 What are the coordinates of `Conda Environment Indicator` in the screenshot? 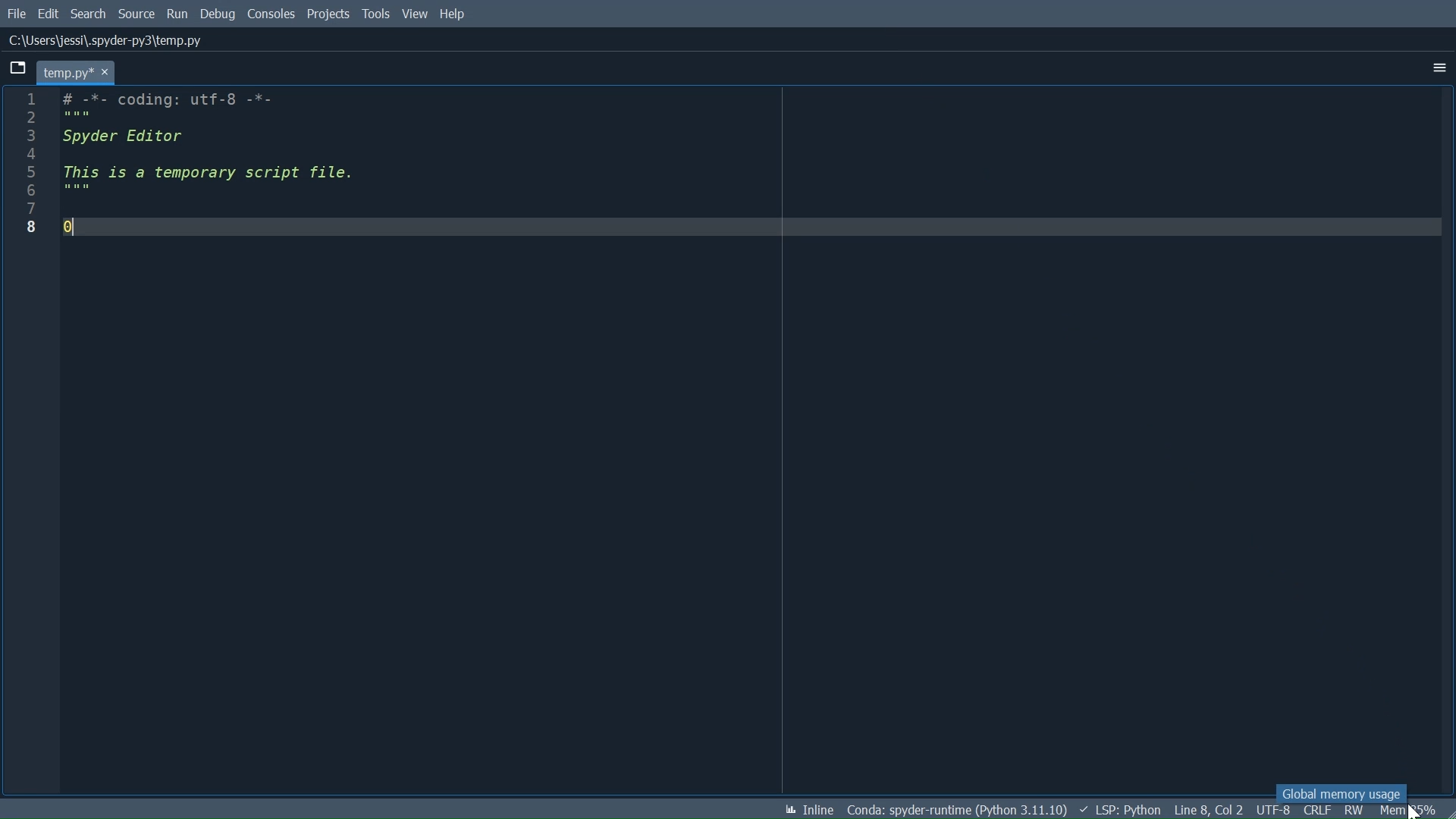 It's located at (956, 810).